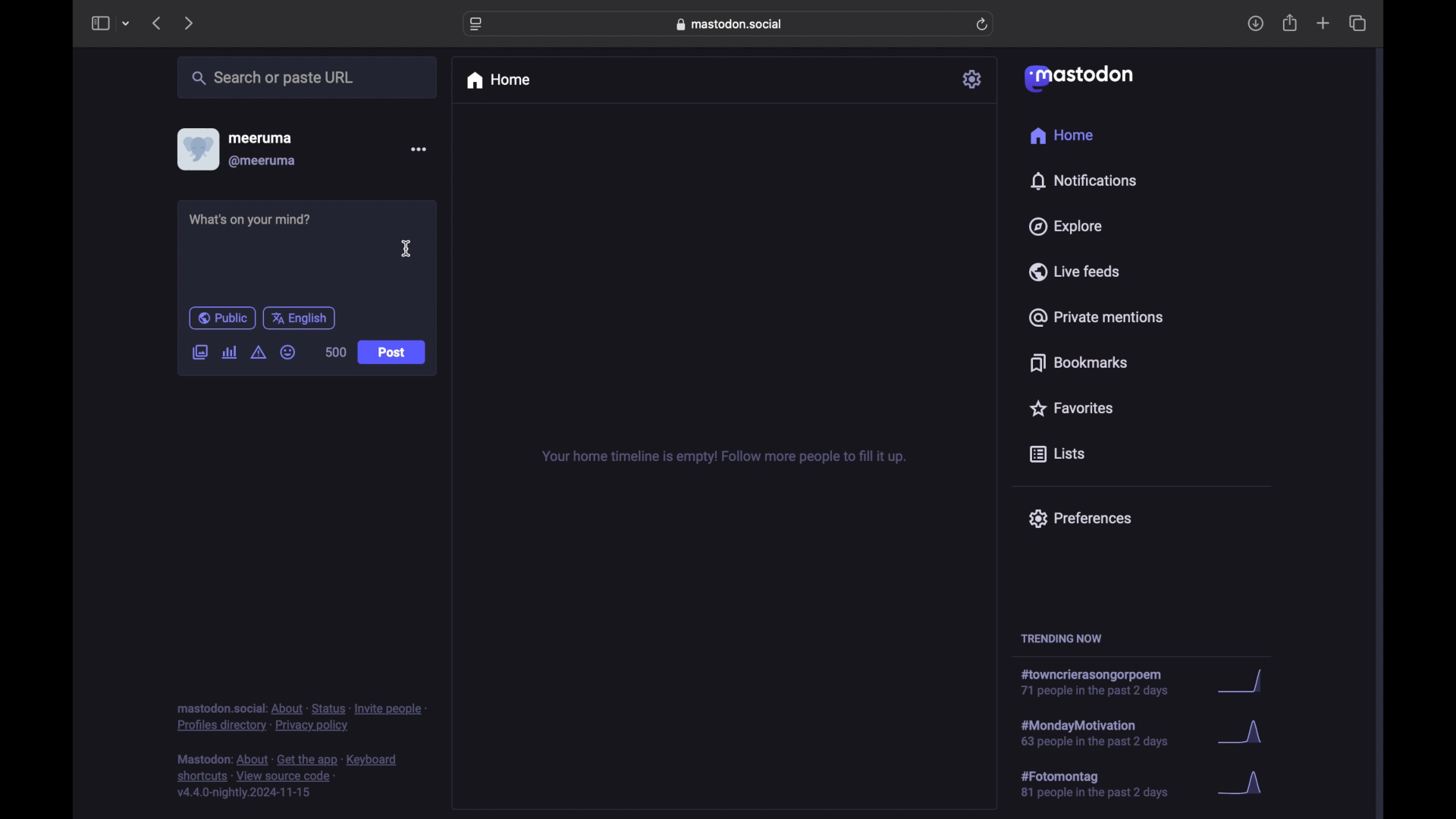 Image resolution: width=1456 pixels, height=819 pixels. What do you see at coordinates (1073, 271) in the screenshot?
I see `live feeds` at bounding box center [1073, 271].